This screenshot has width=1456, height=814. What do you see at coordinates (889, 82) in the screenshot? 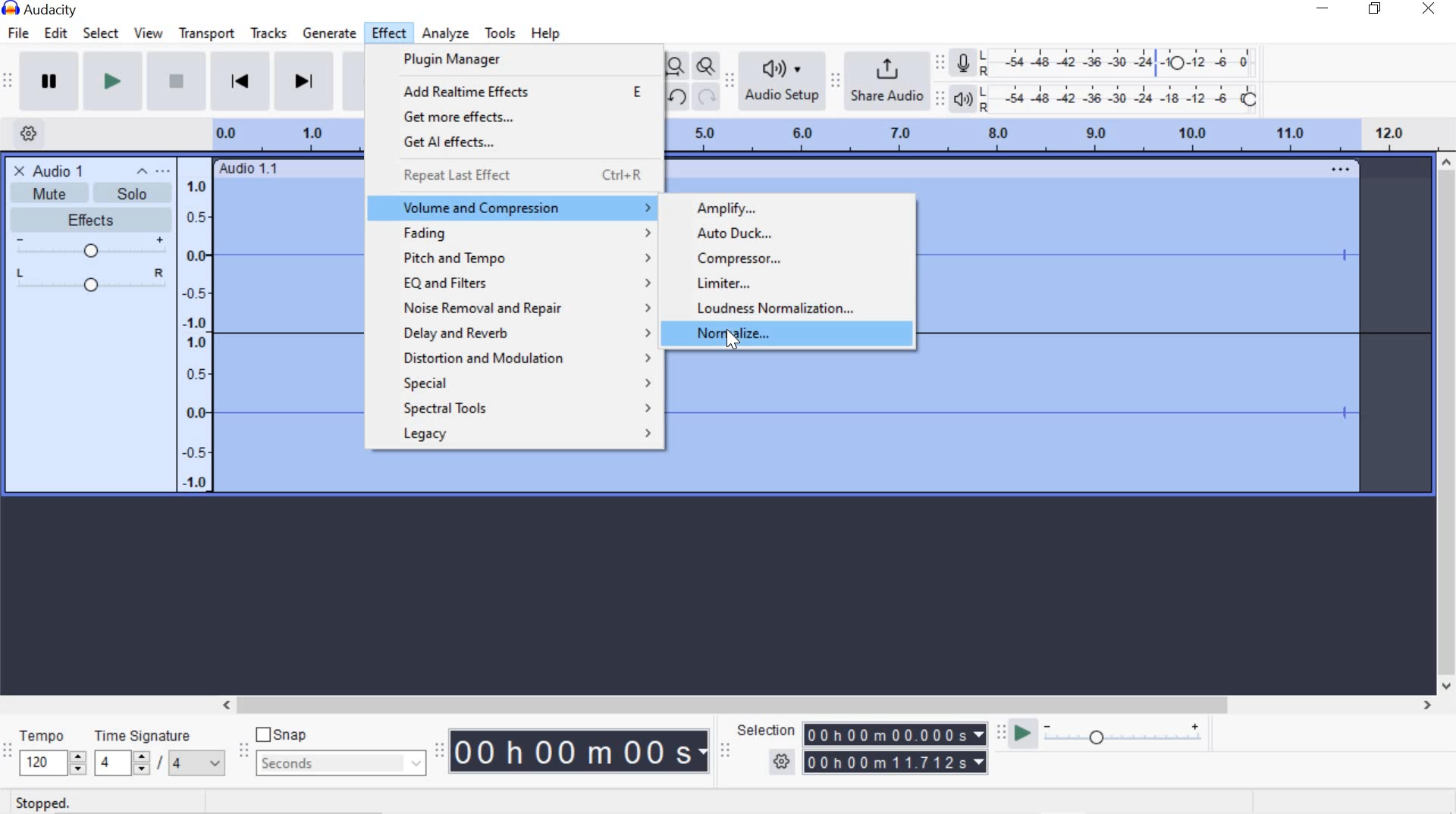
I see `Share audio` at bounding box center [889, 82].